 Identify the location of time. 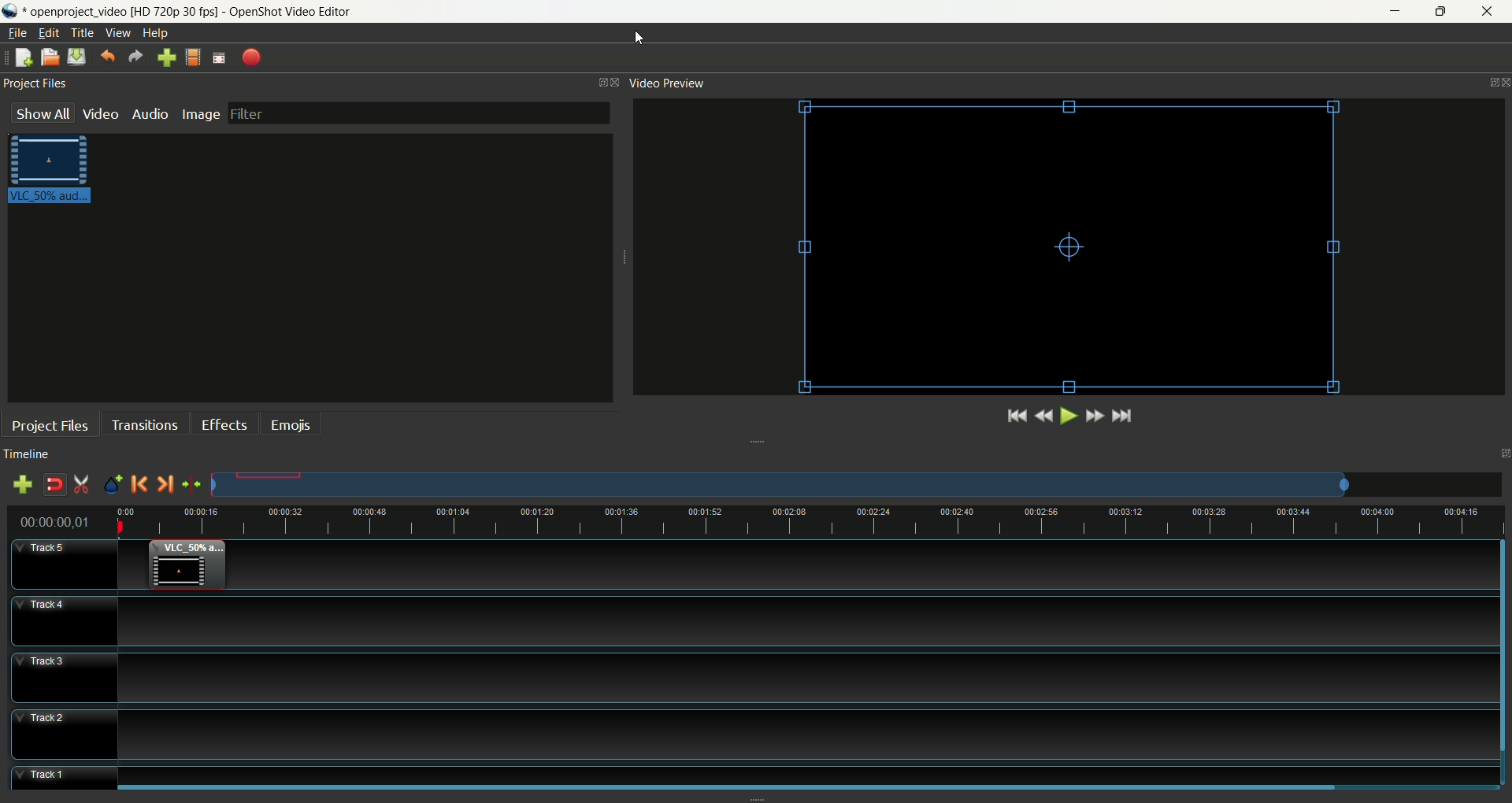
(56, 523).